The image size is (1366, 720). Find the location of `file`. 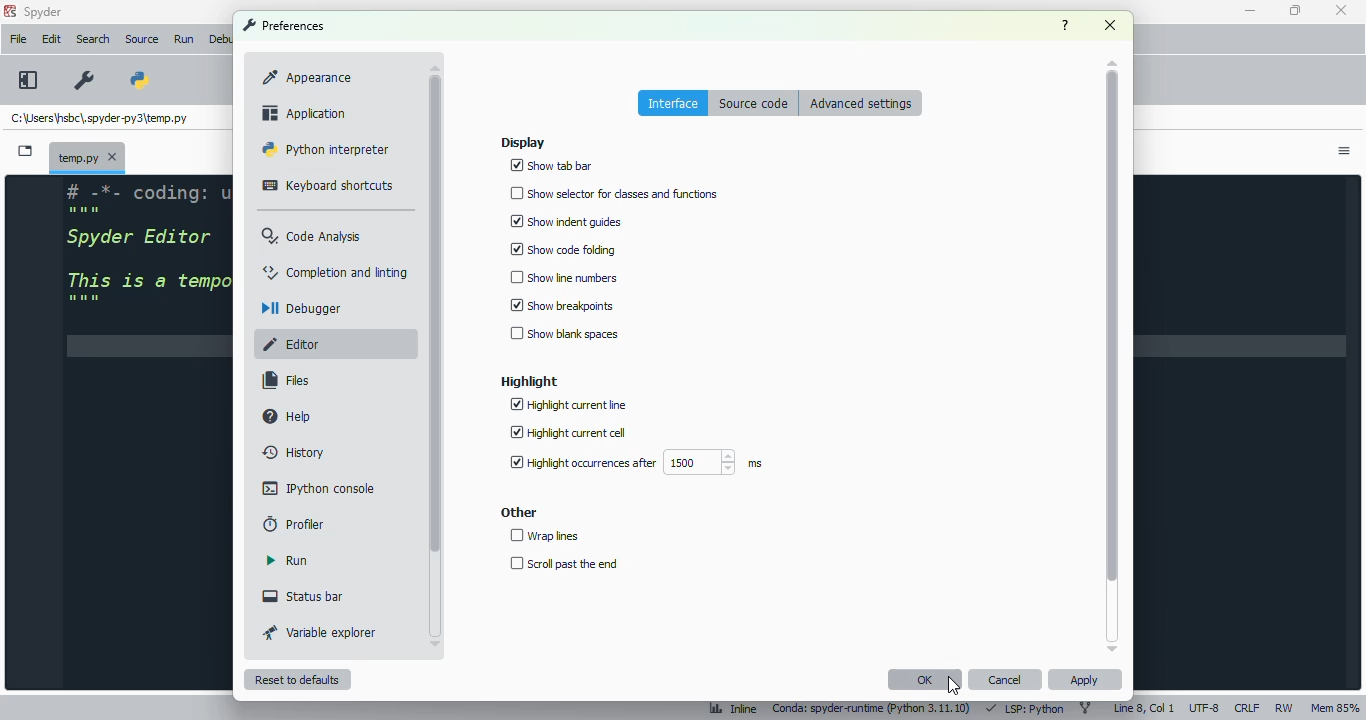

file is located at coordinates (19, 39).